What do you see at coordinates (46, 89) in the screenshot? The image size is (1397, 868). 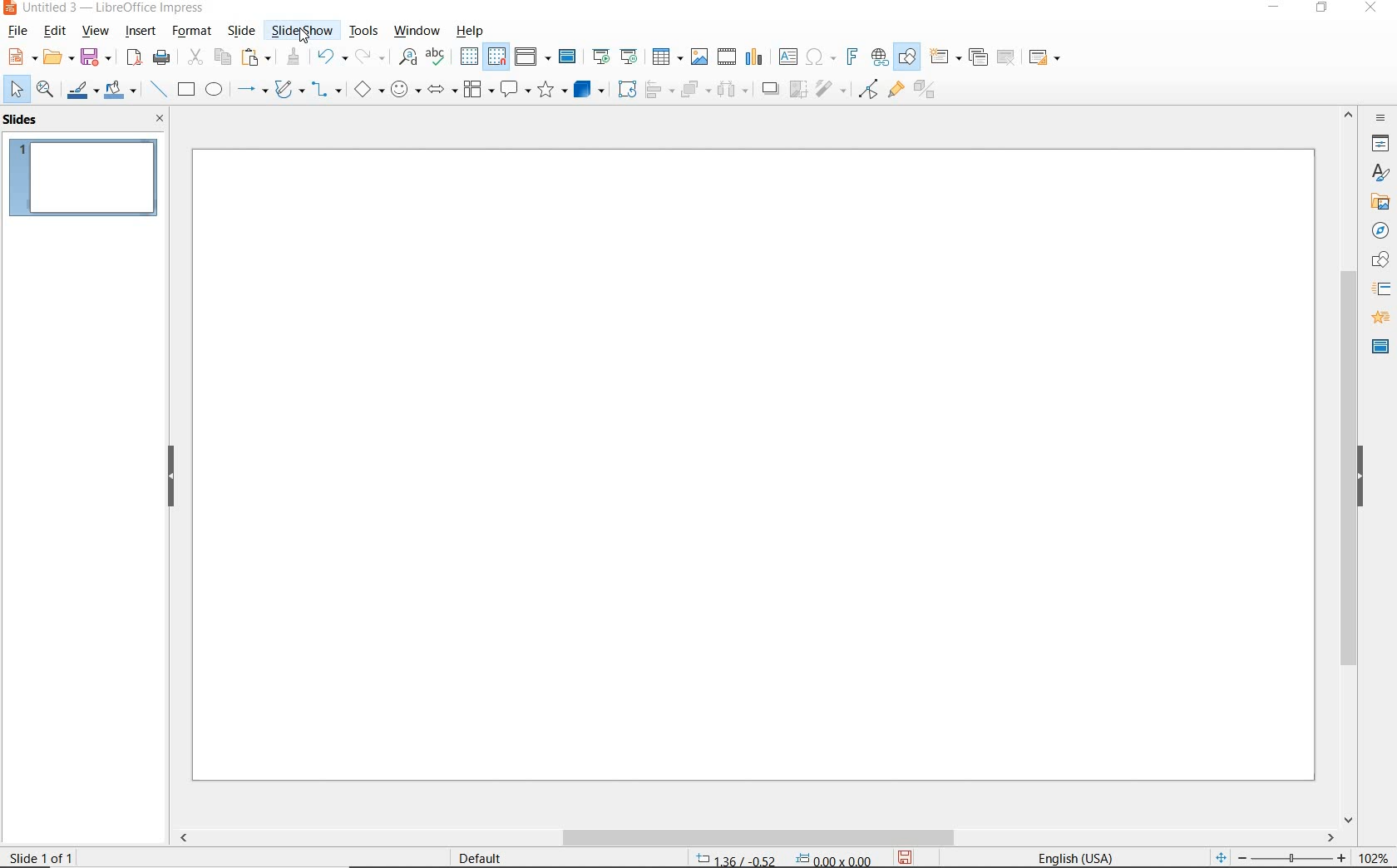 I see `ZOOM & PAN` at bounding box center [46, 89].